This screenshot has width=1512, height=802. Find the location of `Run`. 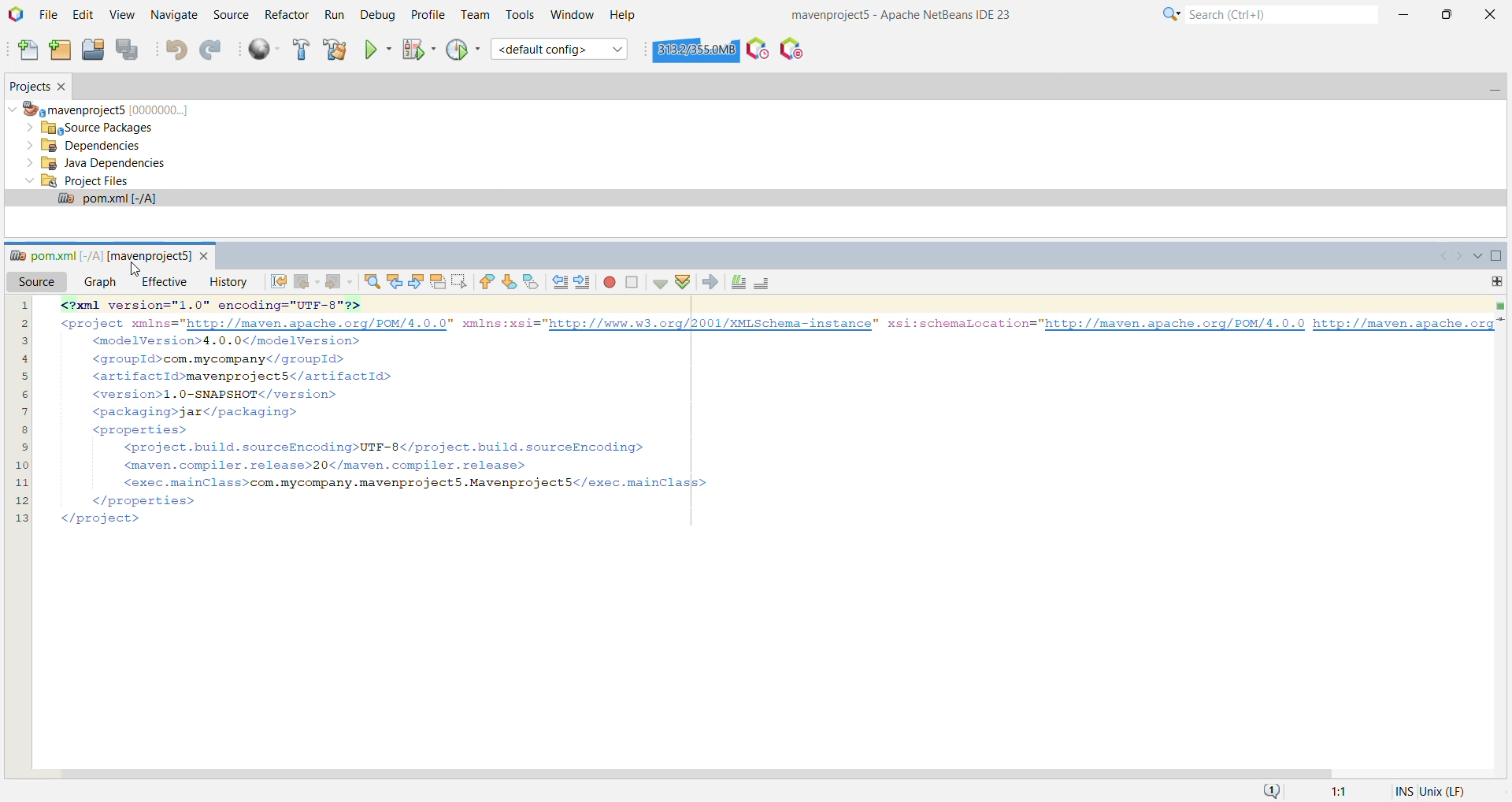

Run is located at coordinates (333, 16).